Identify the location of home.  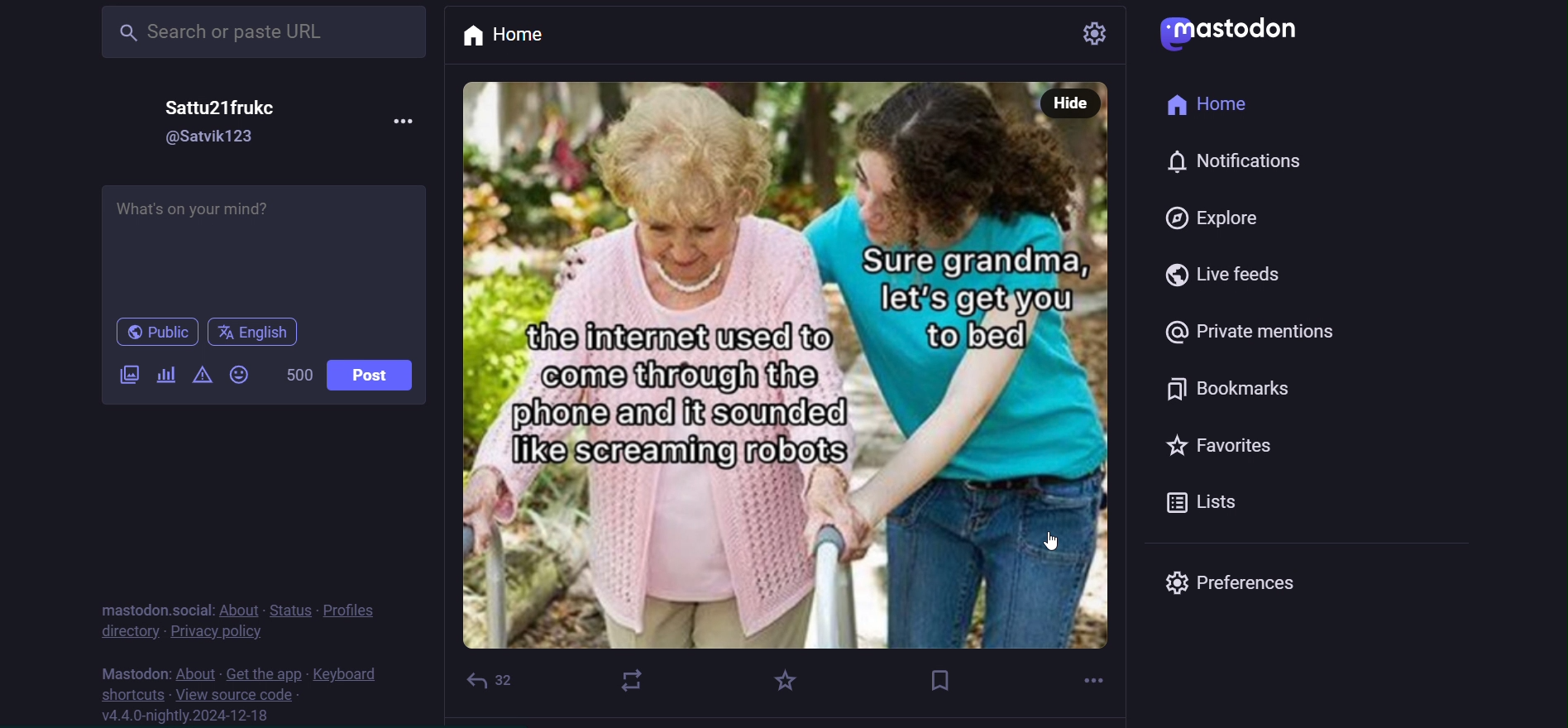
(521, 37).